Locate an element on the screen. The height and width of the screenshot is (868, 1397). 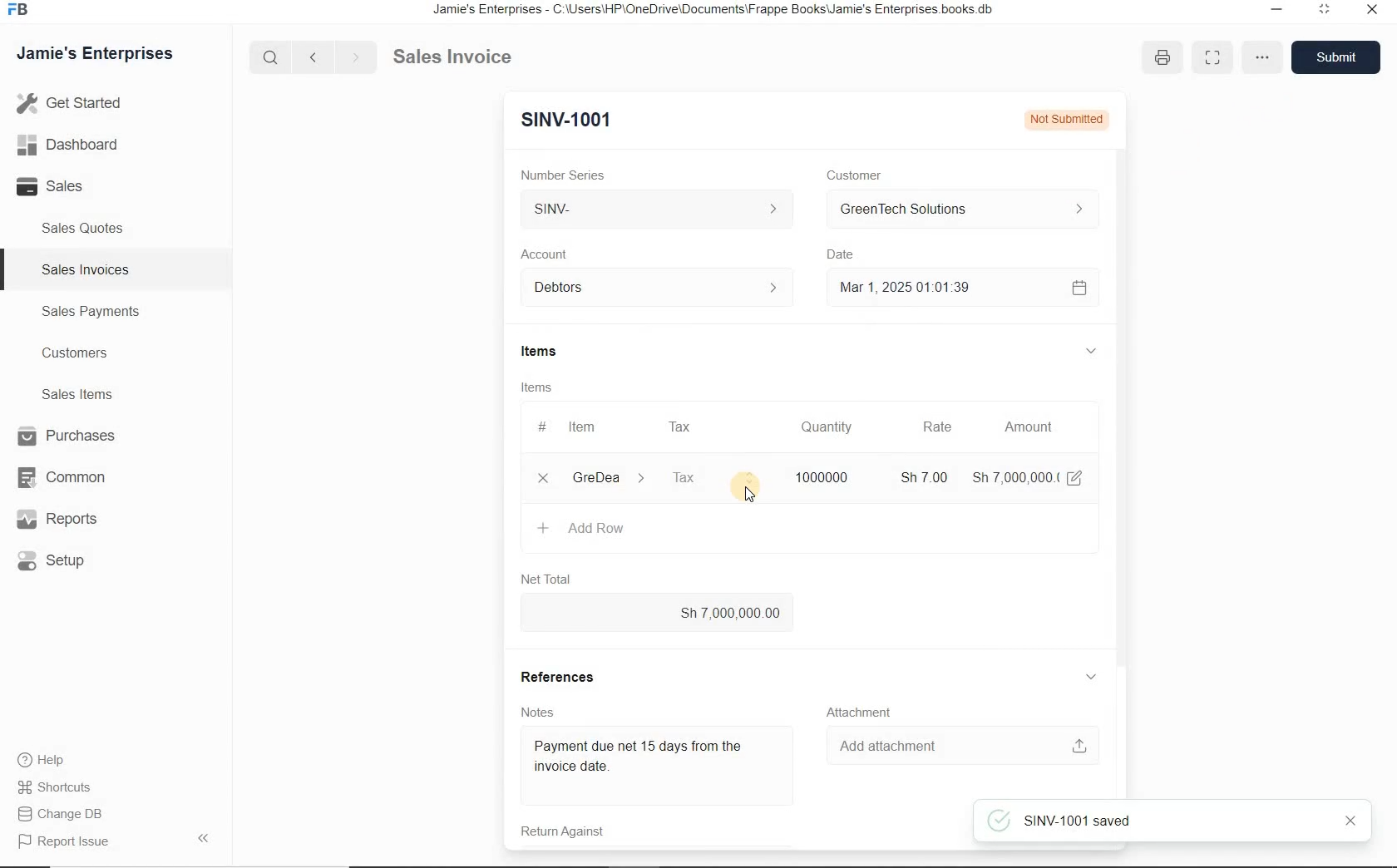
Debtors is located at coordinates (649, 288).